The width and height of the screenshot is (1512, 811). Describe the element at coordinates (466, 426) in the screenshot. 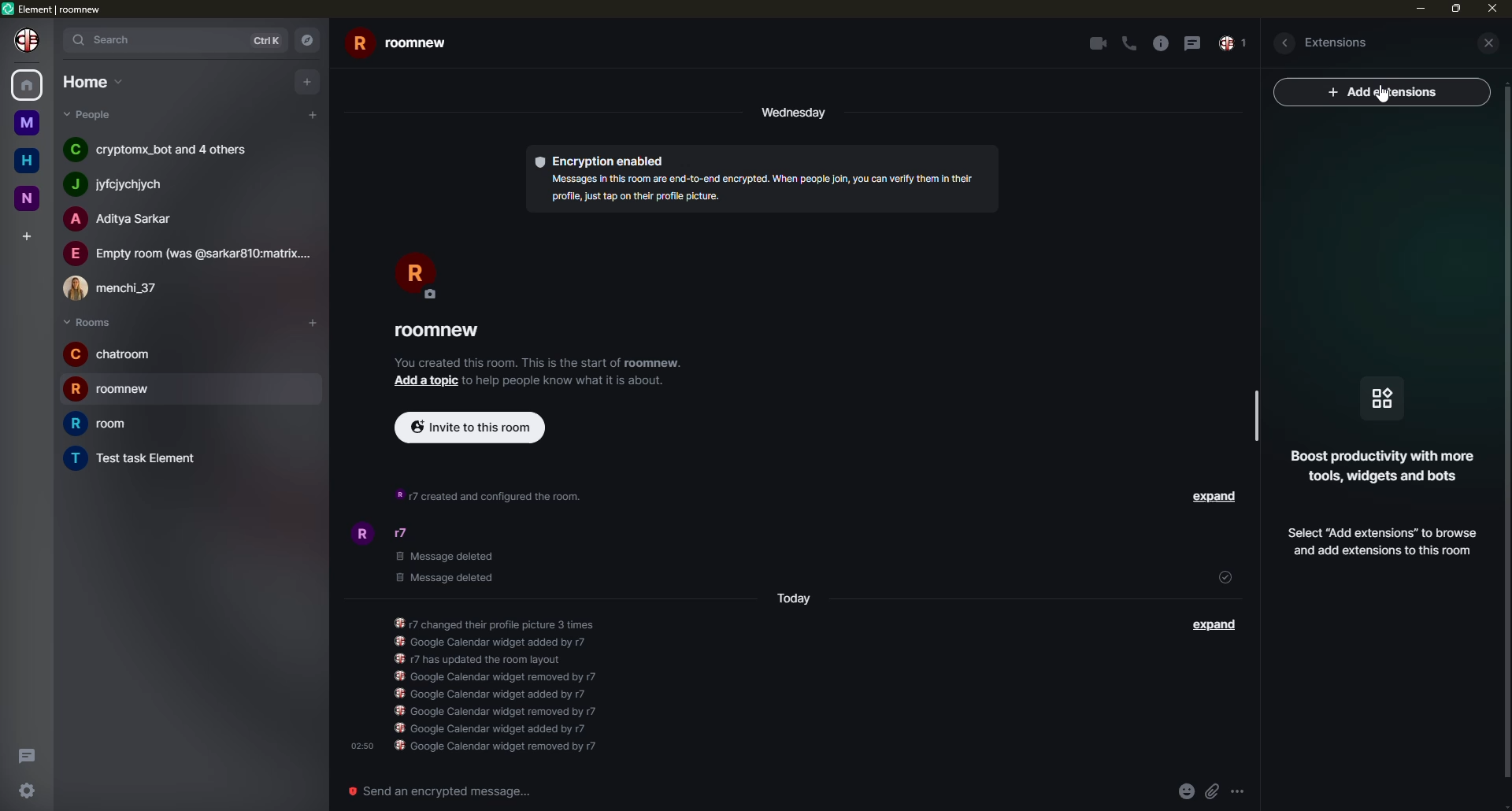

I see `invite to this room` at that location.